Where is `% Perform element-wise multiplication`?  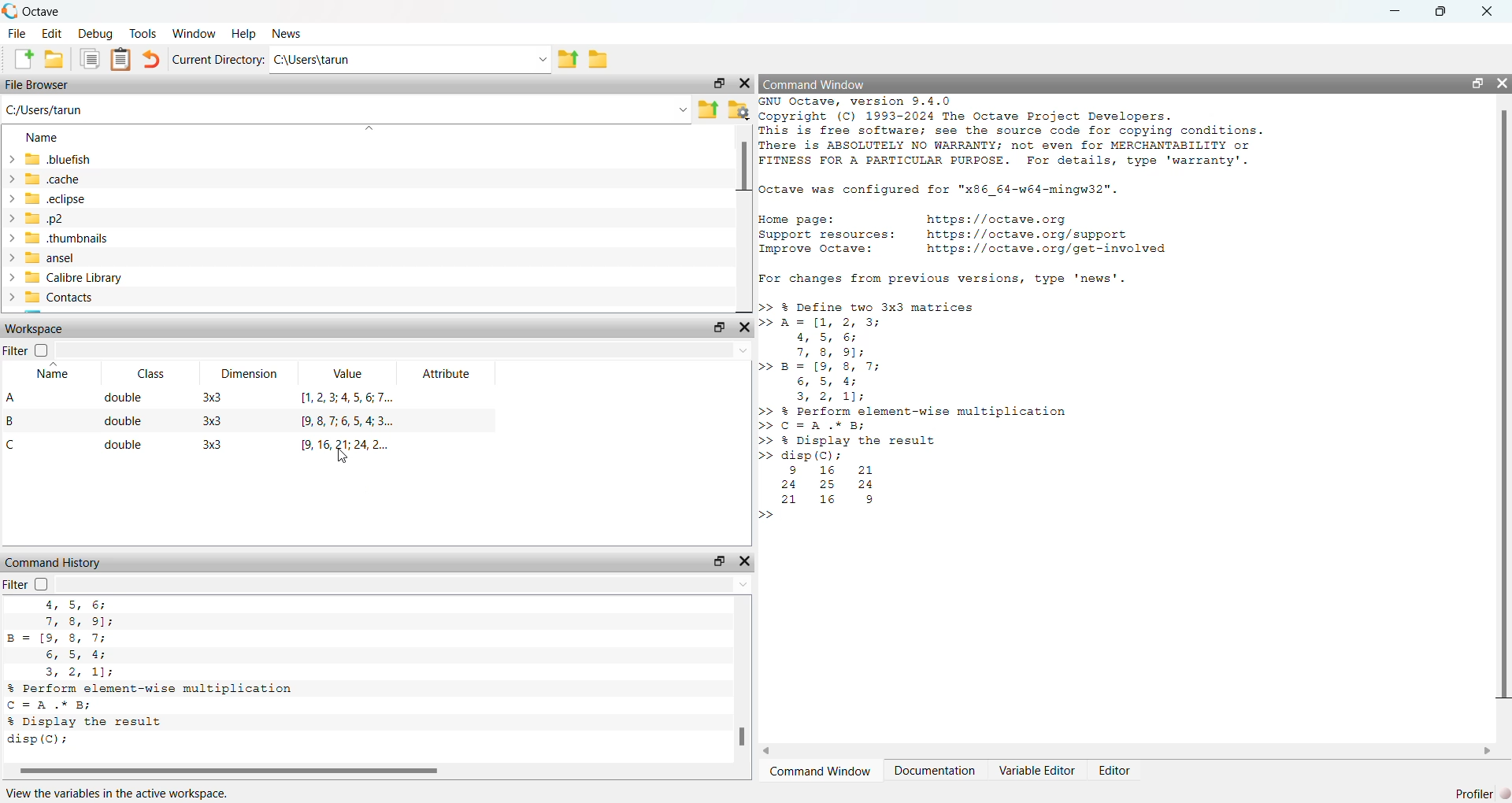 % Perform element-wise multiplication is located at coordinates (153, 689).